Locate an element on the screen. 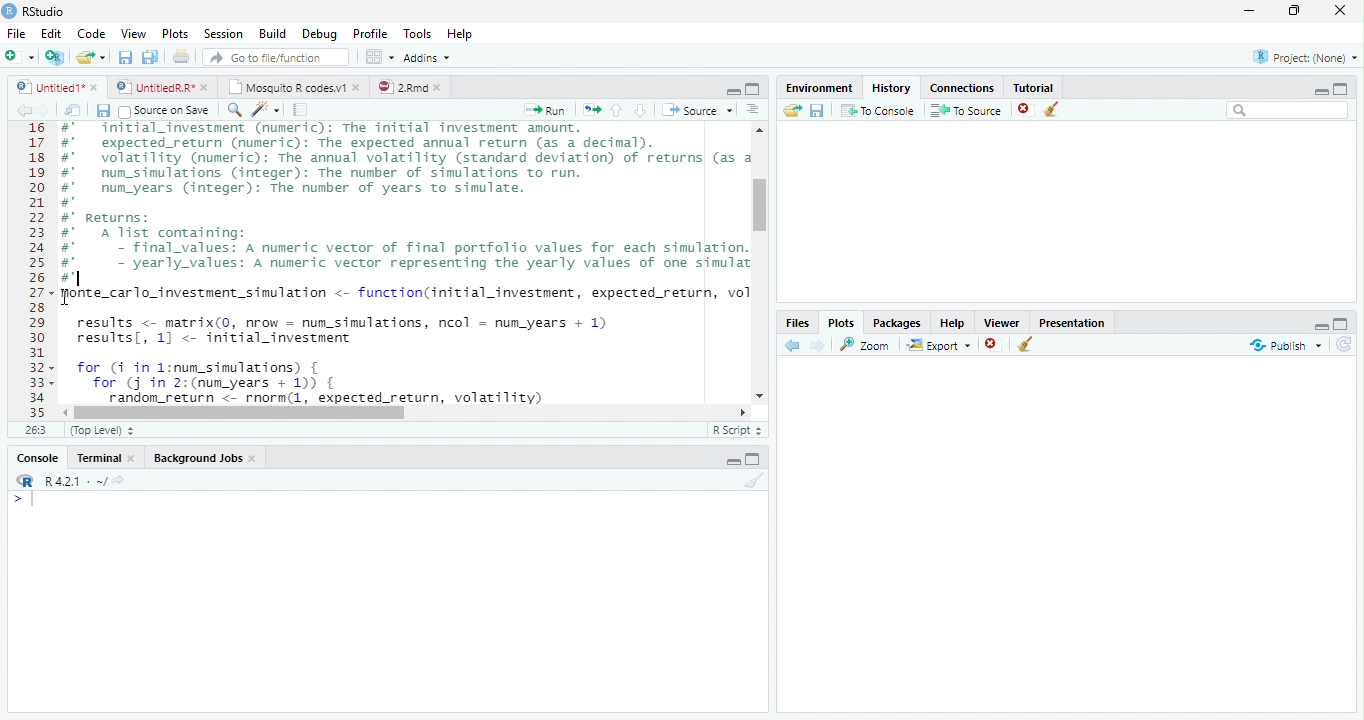 The height and width of the screenshot is (720, 1364). Export is located at coordinates (937, 345).